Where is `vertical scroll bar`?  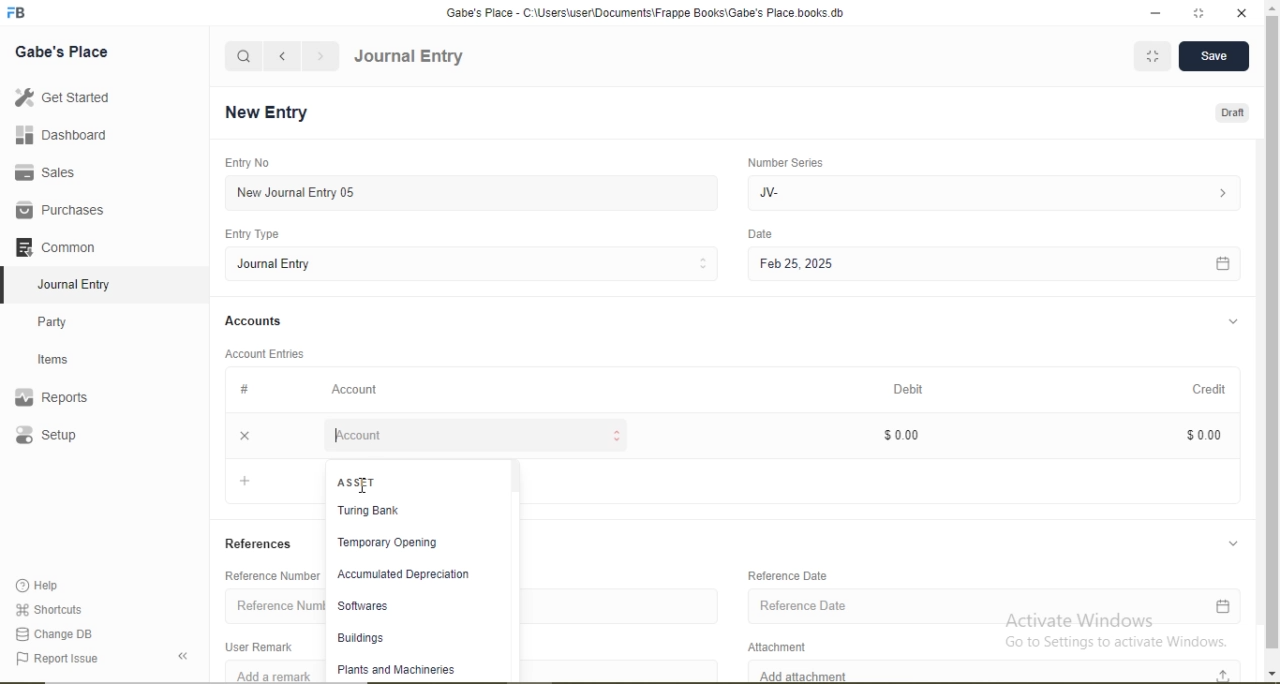 vertical scroll bar is located at coordinates (1272, 342).